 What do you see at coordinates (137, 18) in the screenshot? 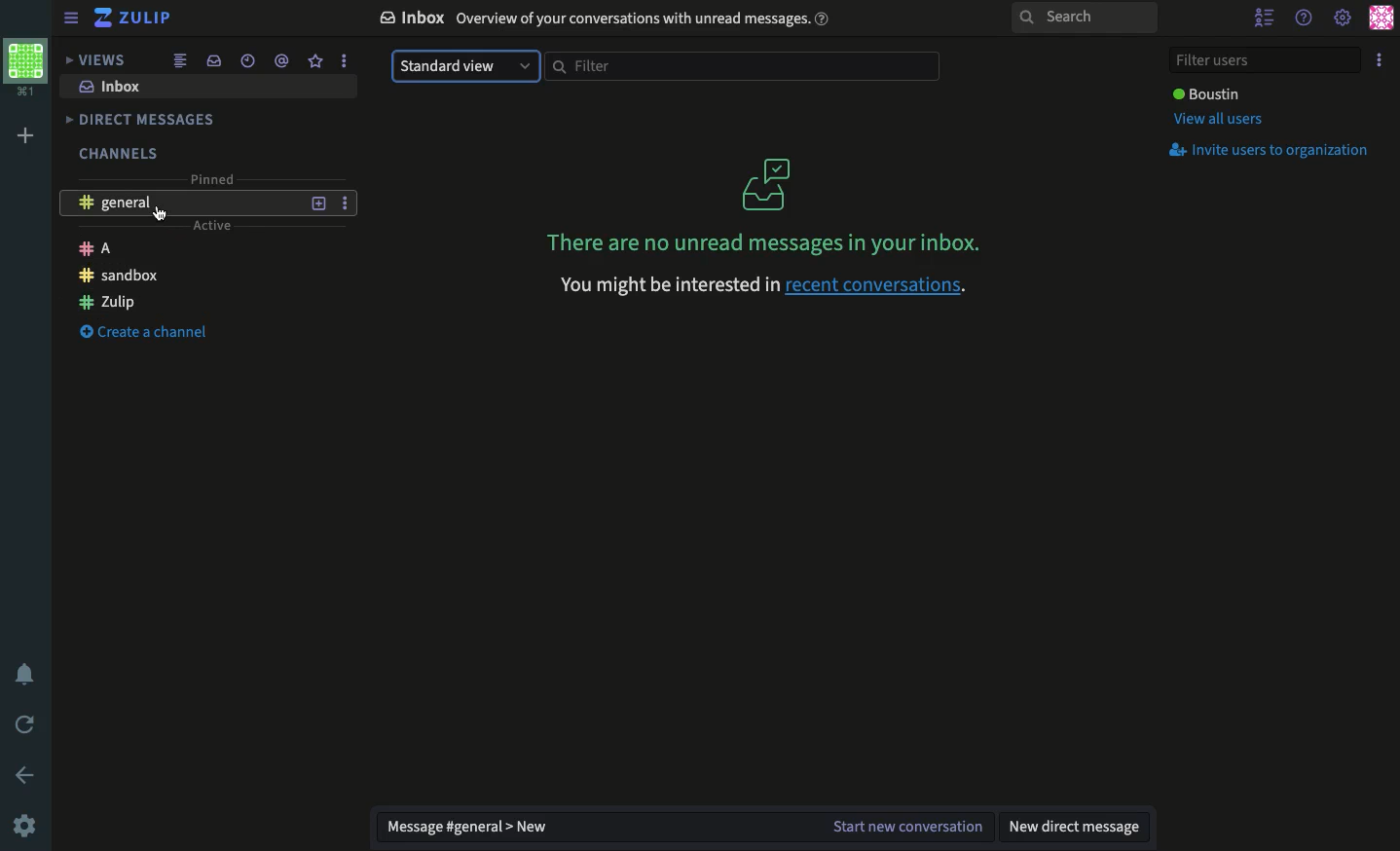
I see `Zulip` at bounding box center [137, 18].